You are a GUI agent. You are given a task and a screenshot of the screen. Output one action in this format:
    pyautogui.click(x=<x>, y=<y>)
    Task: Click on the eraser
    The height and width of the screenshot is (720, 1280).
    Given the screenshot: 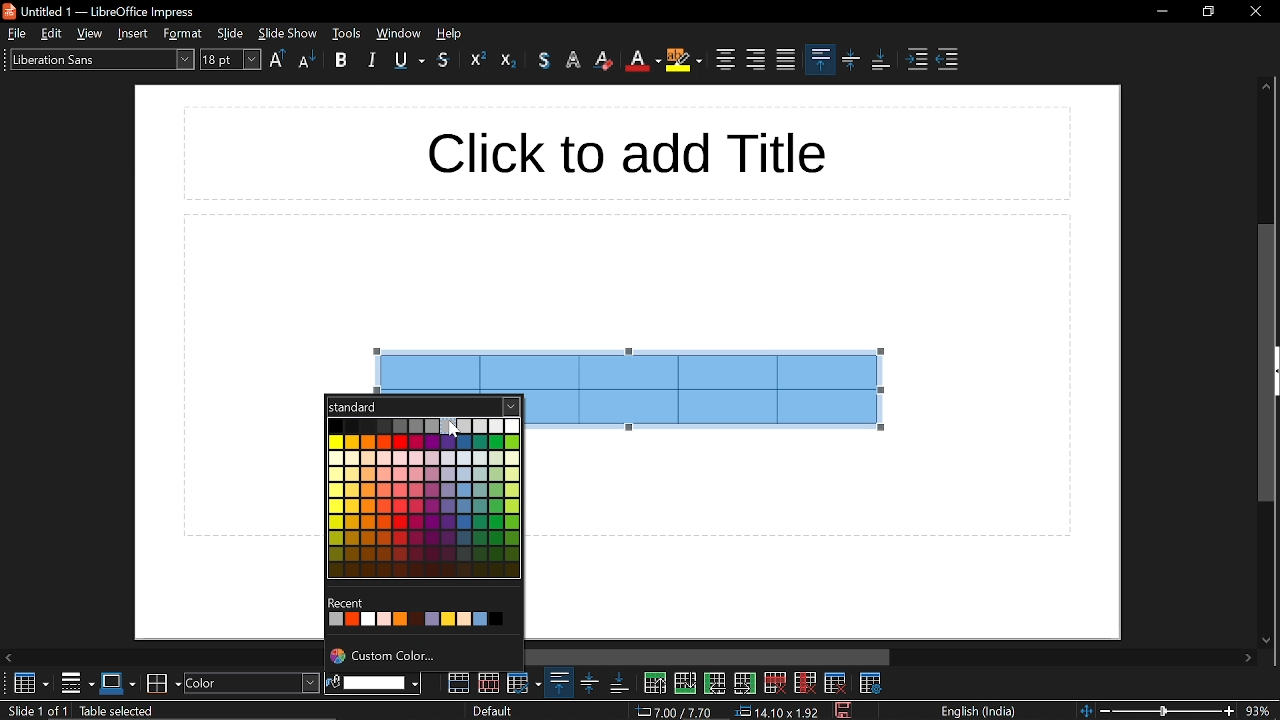 What is the action you would take?
    pyautogui.click(x=509, y=59)
    